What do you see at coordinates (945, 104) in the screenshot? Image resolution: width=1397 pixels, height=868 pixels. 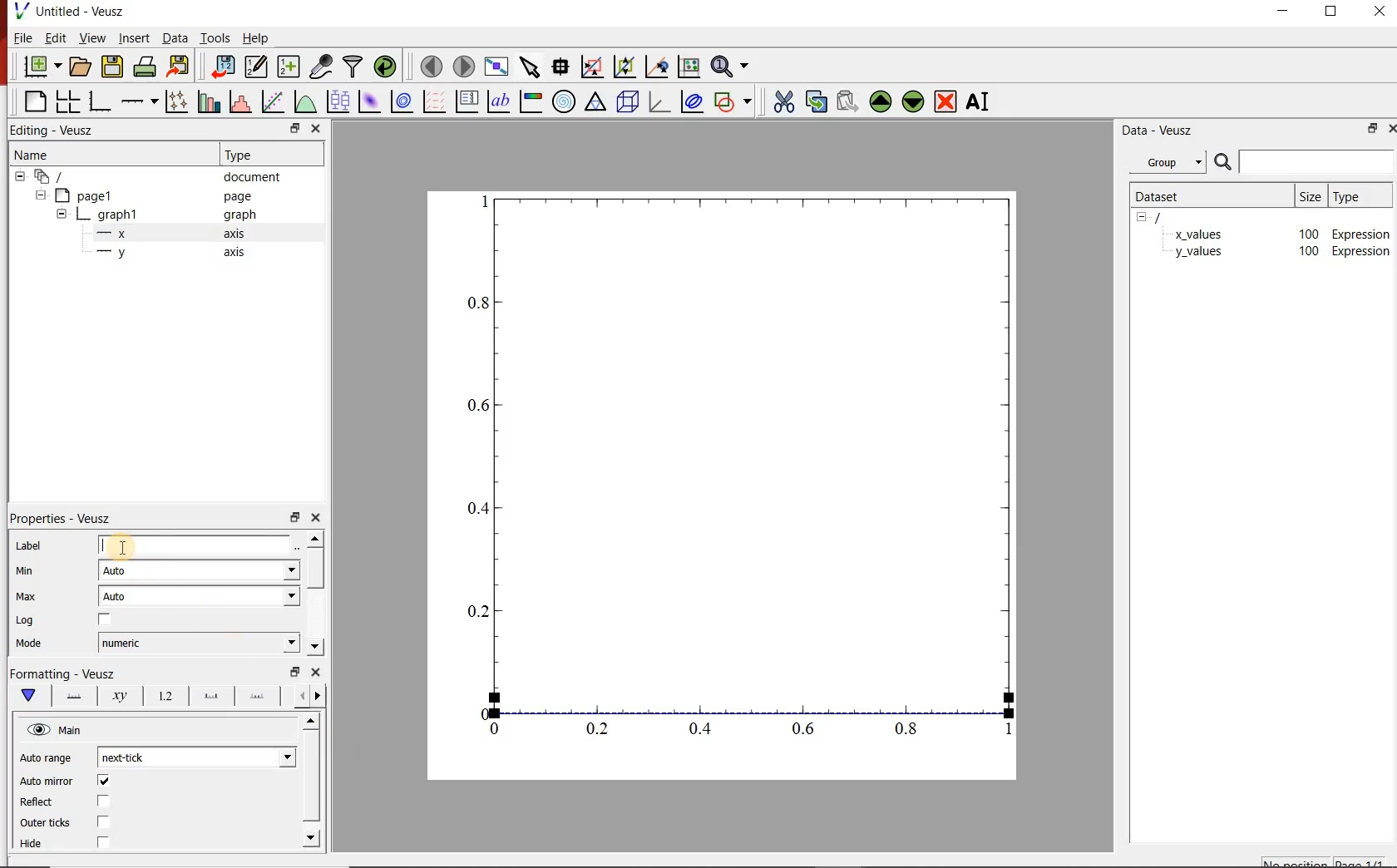 I see `remove the selected widget` at bounding box center [945, 104].